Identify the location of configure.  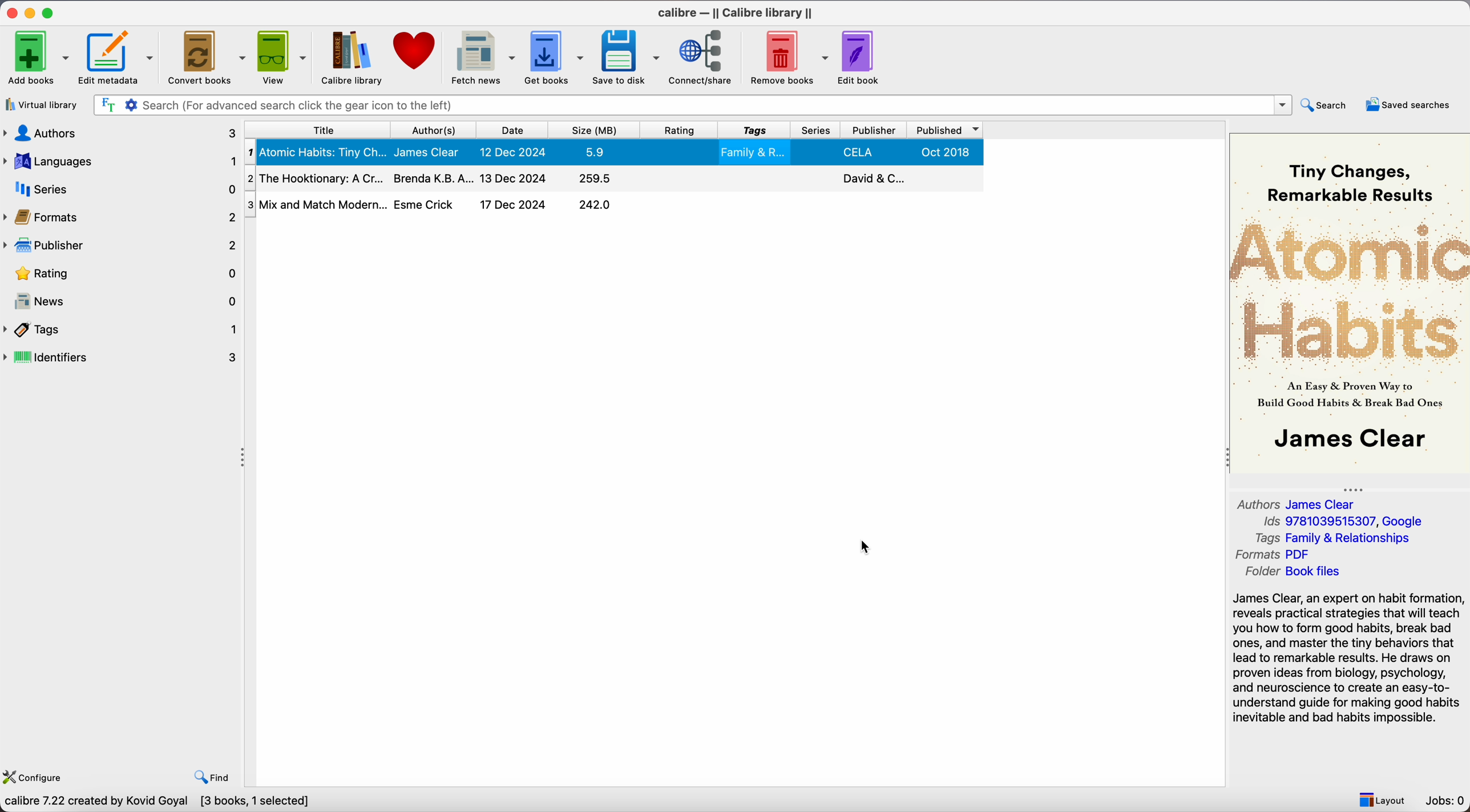
(34, 777).